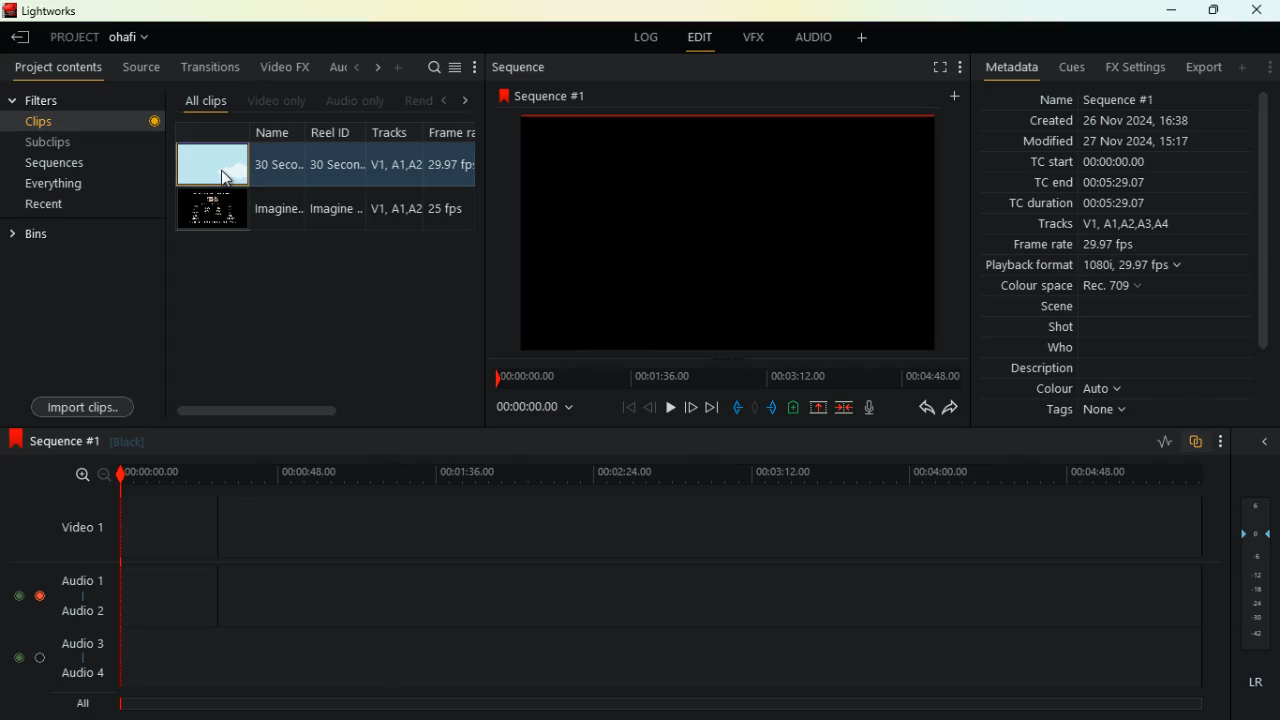 The width and height of the screenshot is (1280, 720). I want to click on add, so click(959, 96).